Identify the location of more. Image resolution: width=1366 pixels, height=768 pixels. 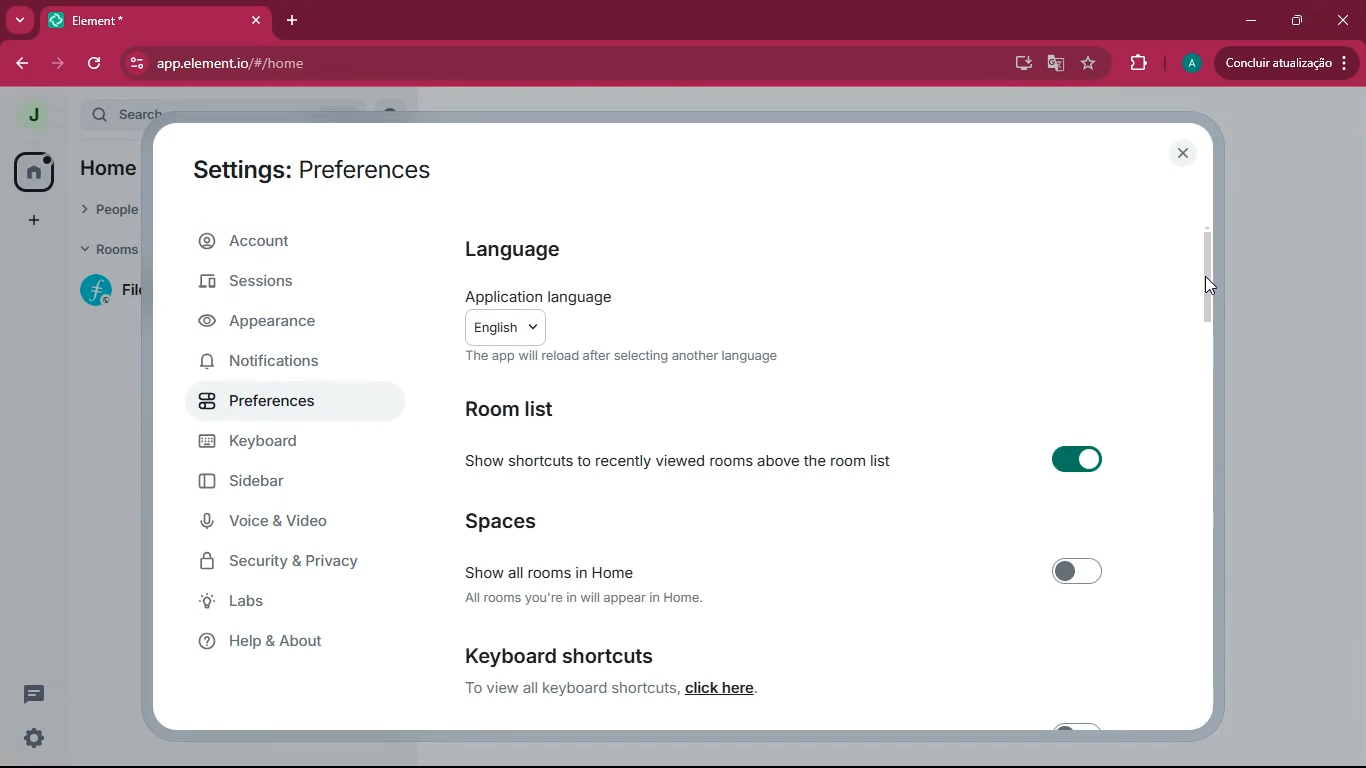
(20, 20).